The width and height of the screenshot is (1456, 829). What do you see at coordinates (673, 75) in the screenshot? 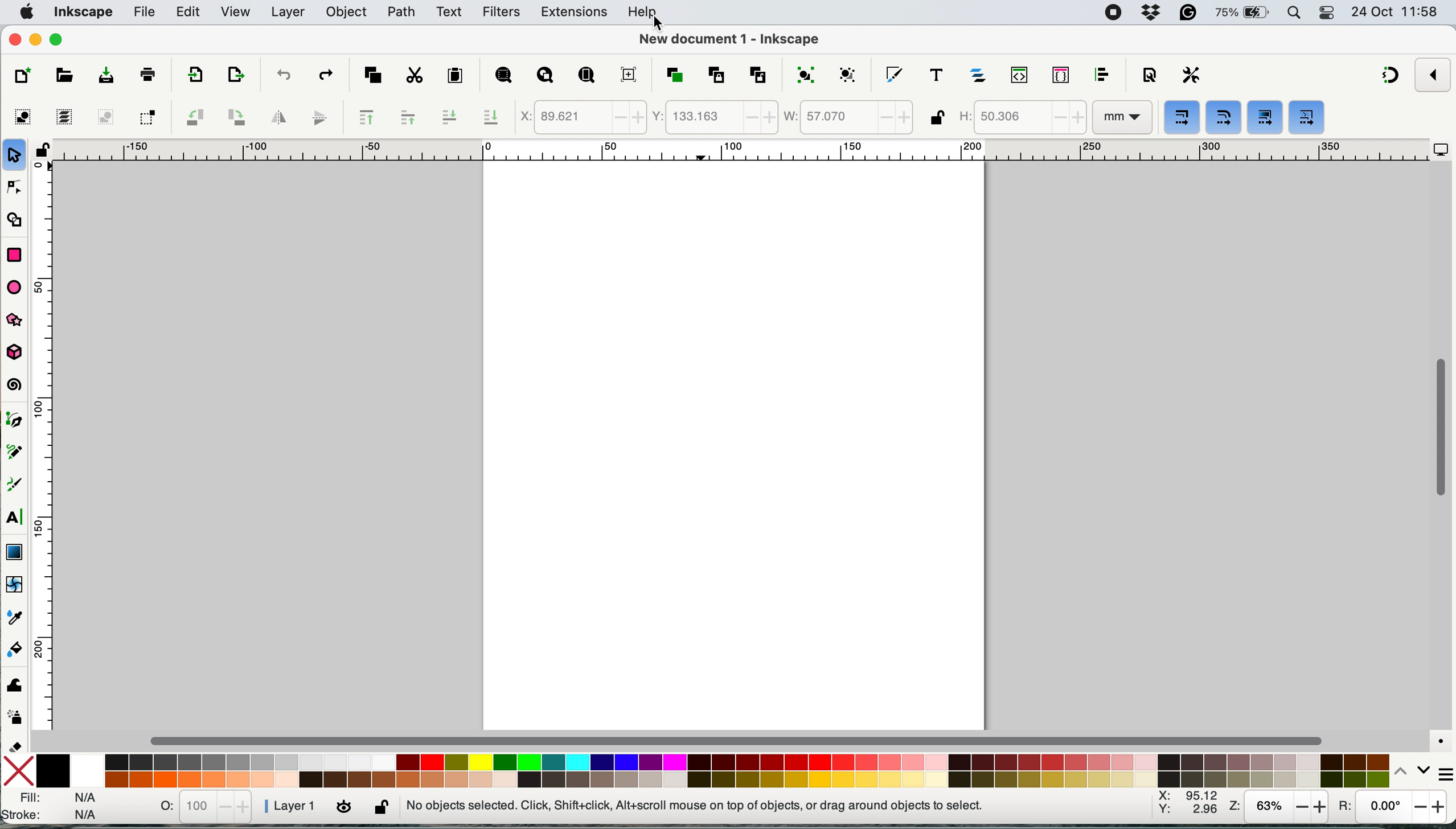
I see `duplicate` at bounding box center [673, 75].